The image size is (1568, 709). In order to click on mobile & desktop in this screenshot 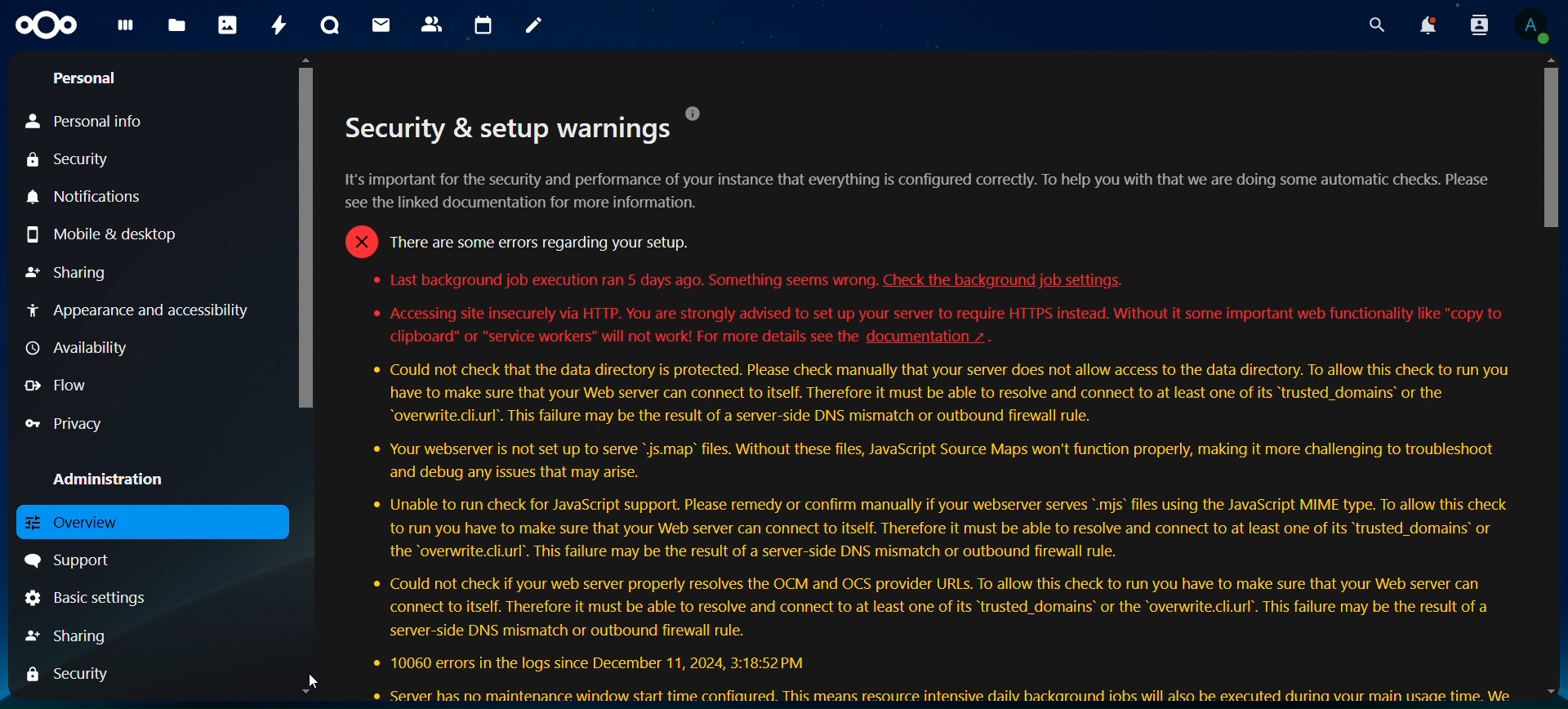, I will do `click(102, 238)`.